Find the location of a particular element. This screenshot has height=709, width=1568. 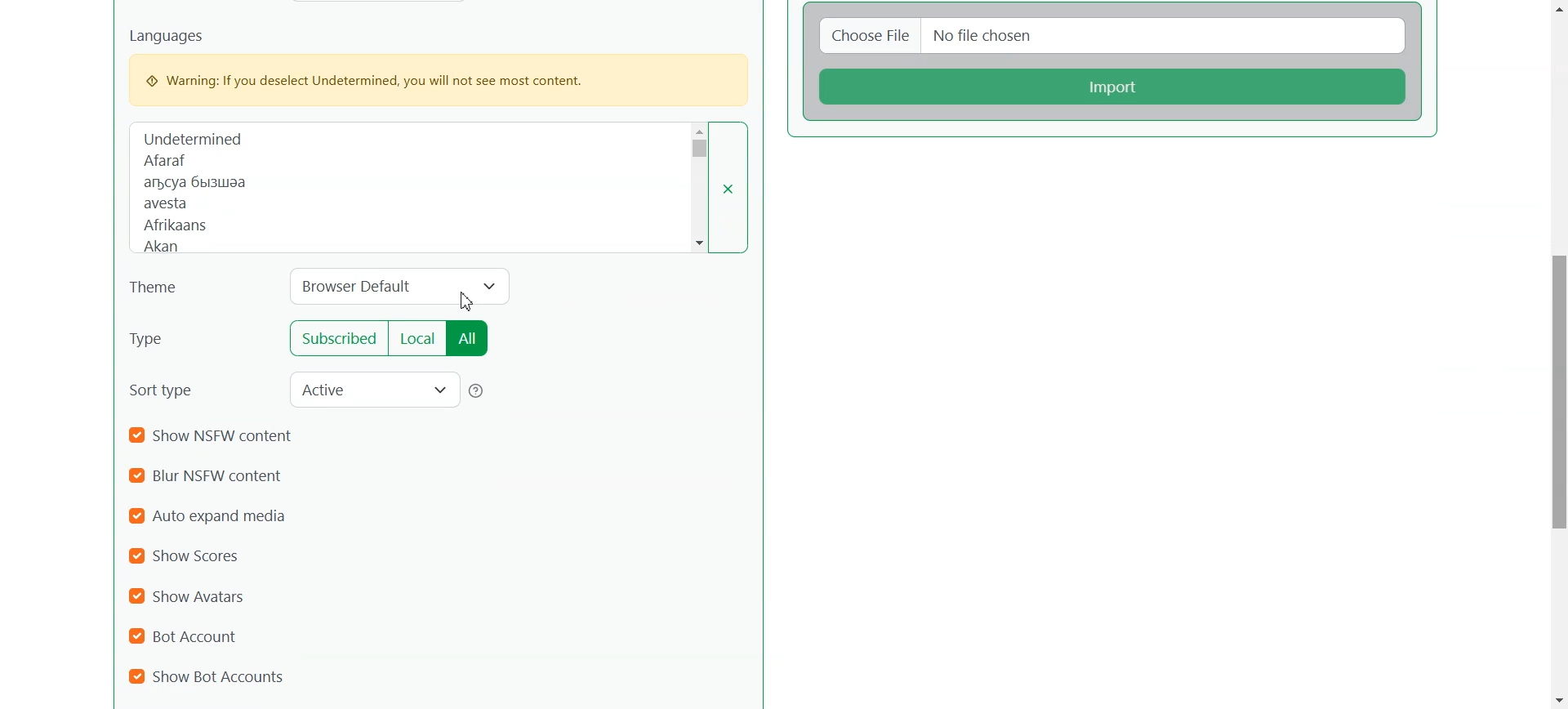

Languages Warning: If you deselect undetermined, you will not see most content. is located at coordinates (436, 66).